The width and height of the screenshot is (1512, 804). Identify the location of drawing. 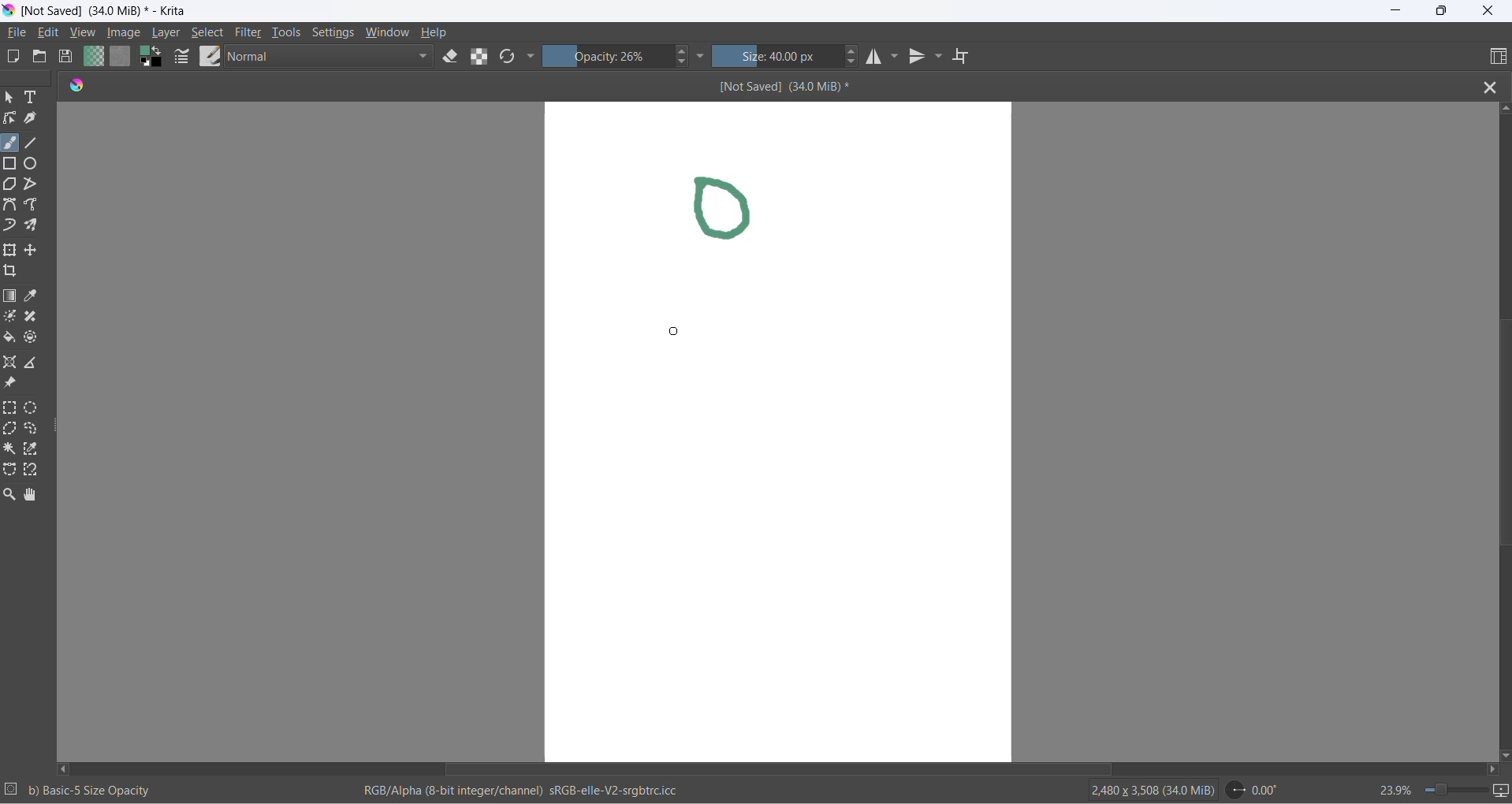
(738, 210).